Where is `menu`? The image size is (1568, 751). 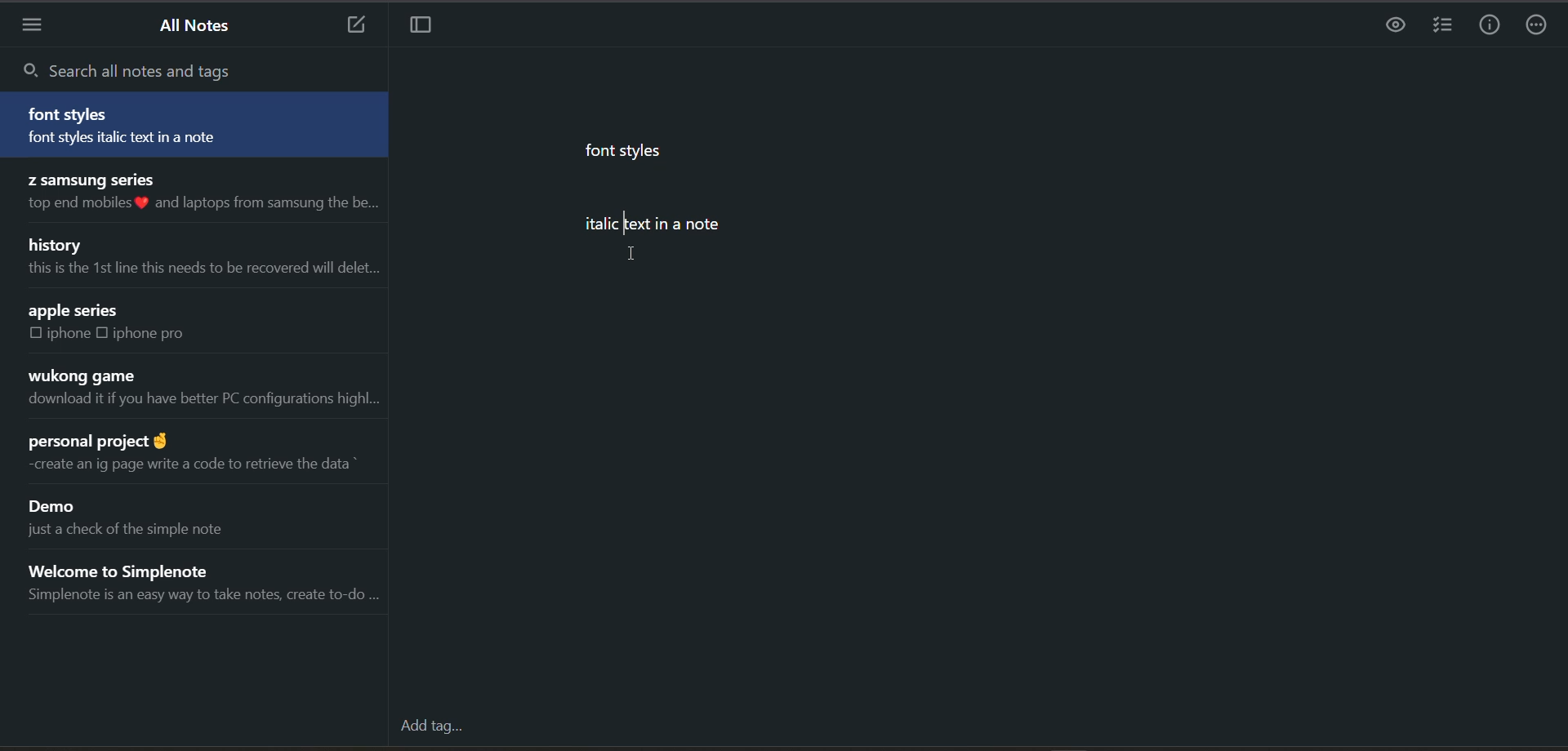 menu is located at coordinates (37, 26).